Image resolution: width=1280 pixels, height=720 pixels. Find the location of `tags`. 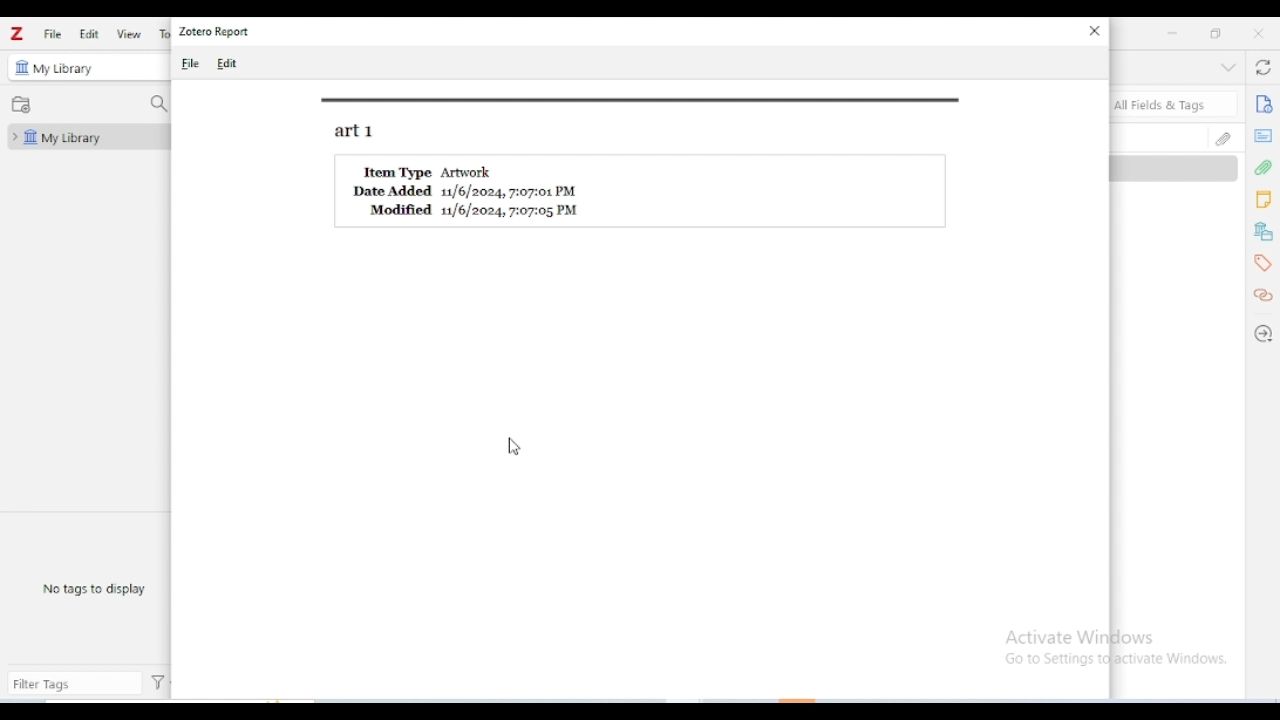

tags is located at coordinates (1265, 264).